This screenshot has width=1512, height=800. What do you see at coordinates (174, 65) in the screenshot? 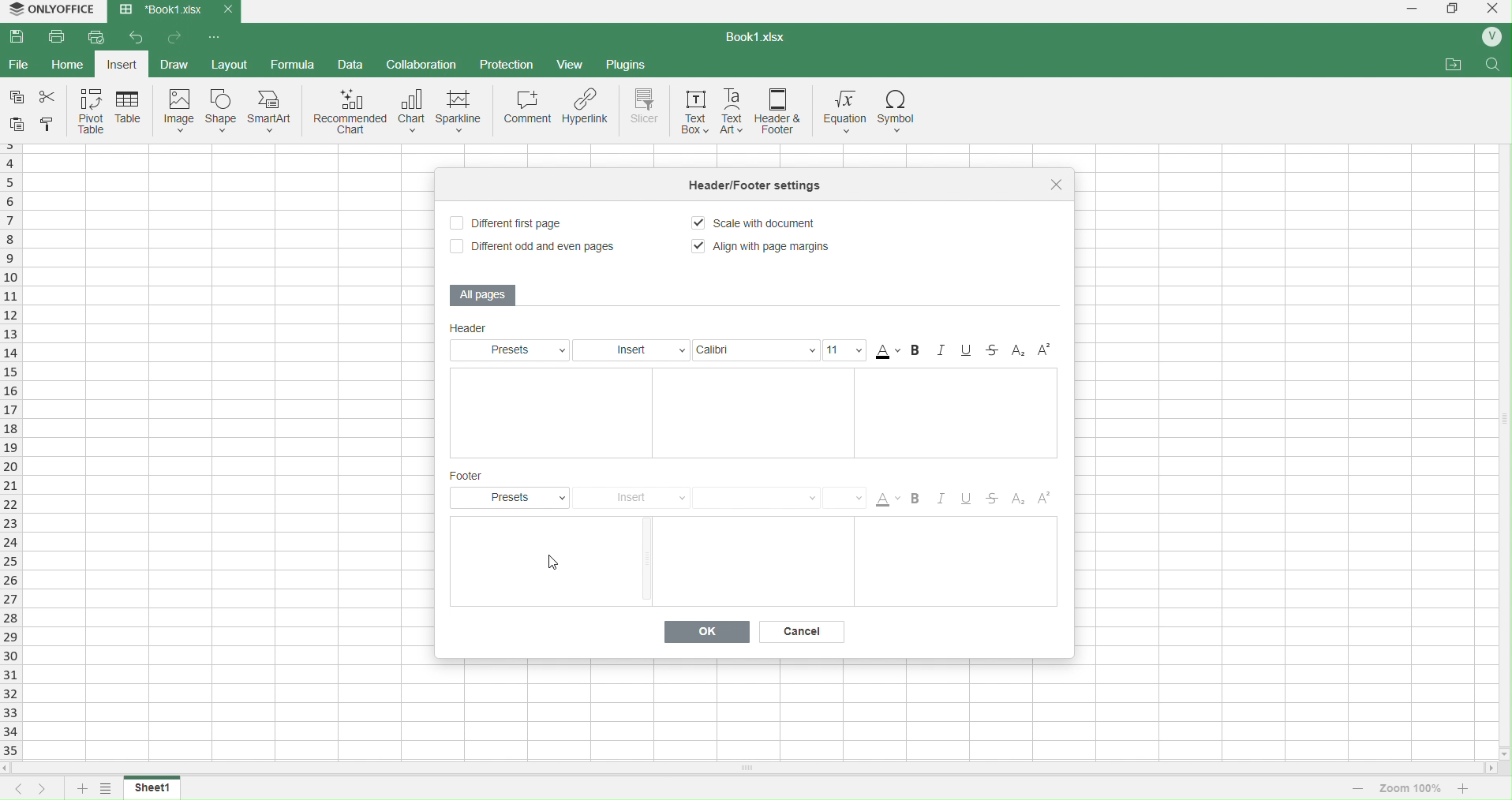
I see `draw` at bounding box center [174, 65].